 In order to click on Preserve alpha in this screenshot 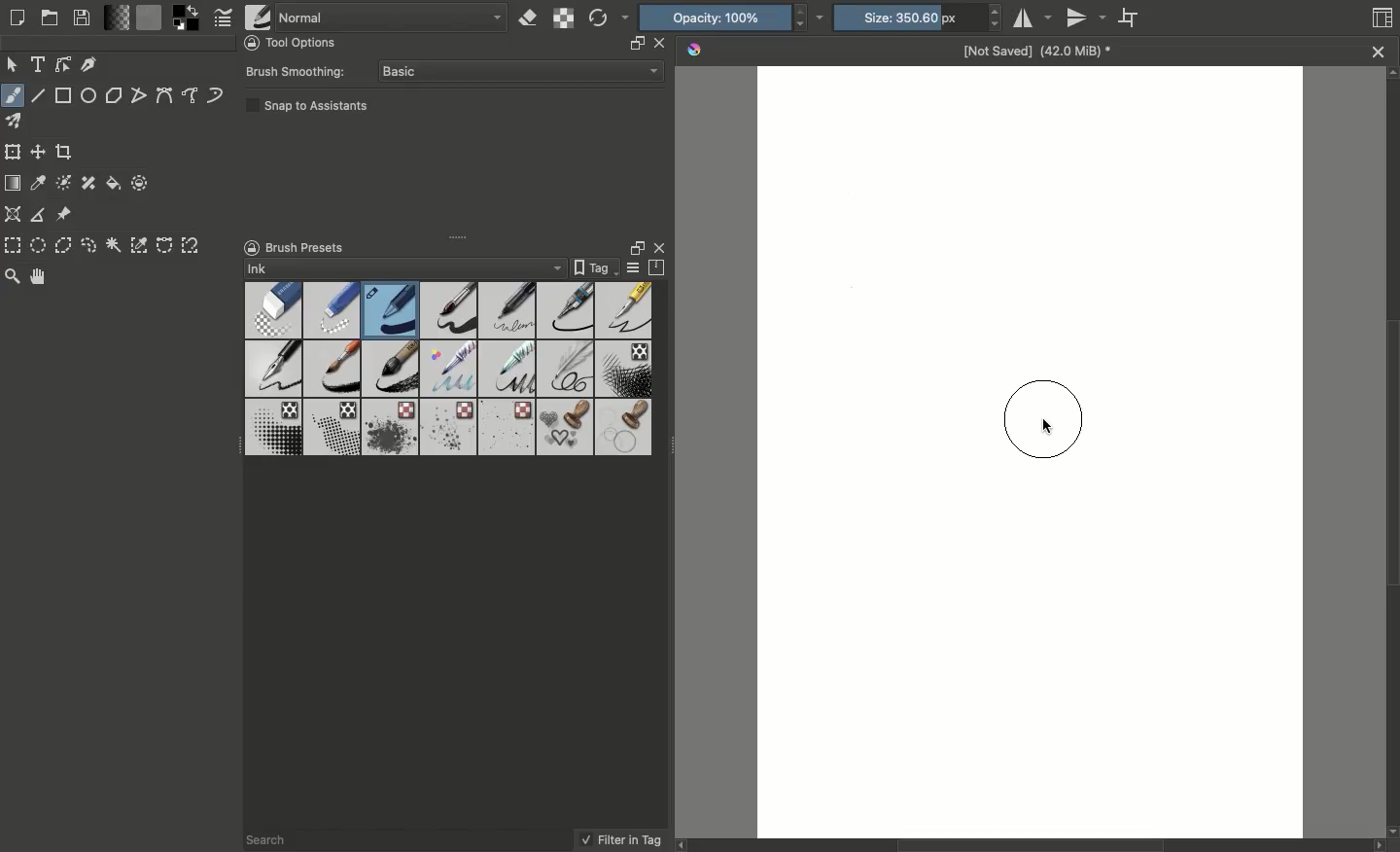, I will do `click(565, 18)`.